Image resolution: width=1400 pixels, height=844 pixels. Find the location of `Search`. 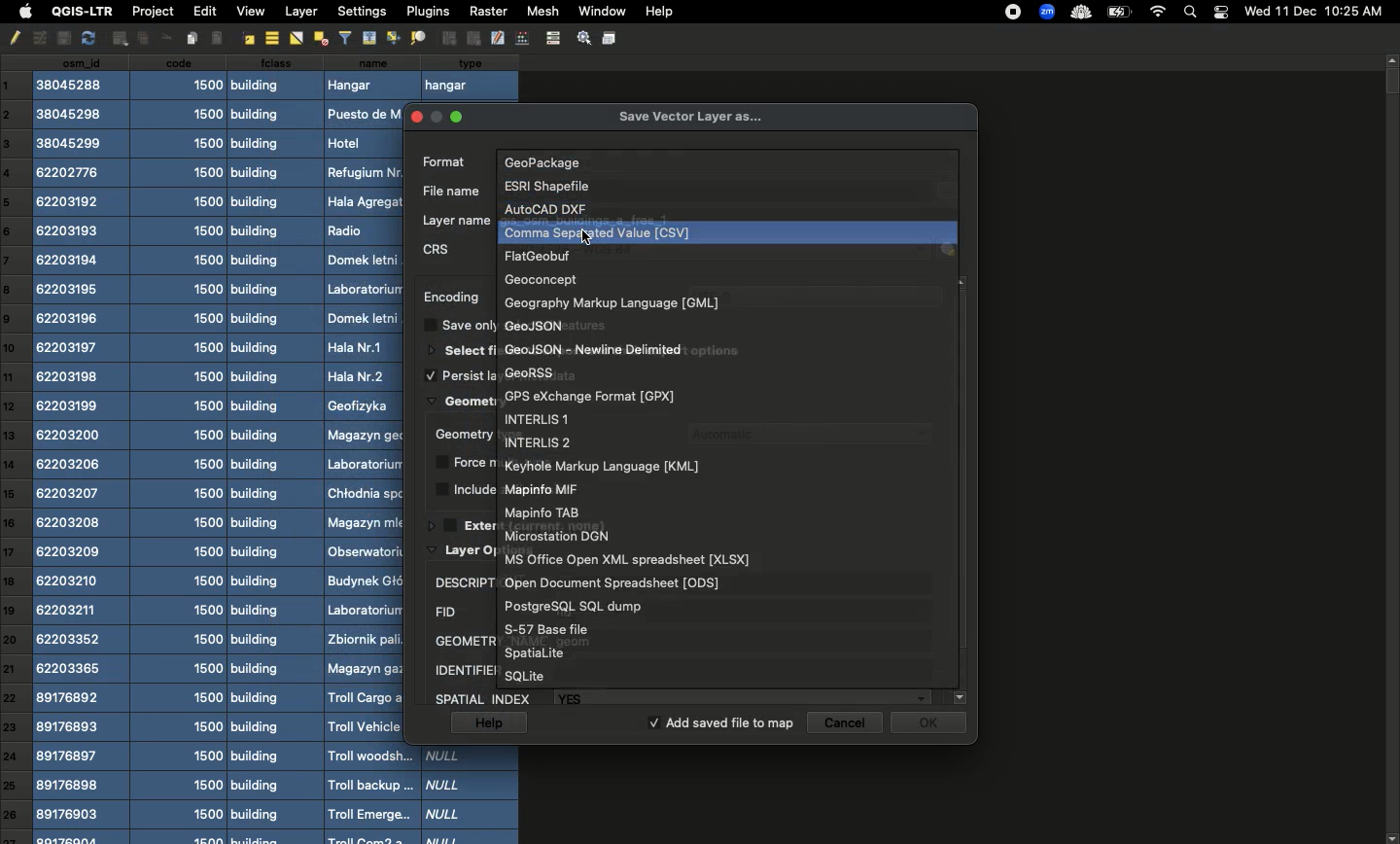

Search is located at coordinates (1192, 11).